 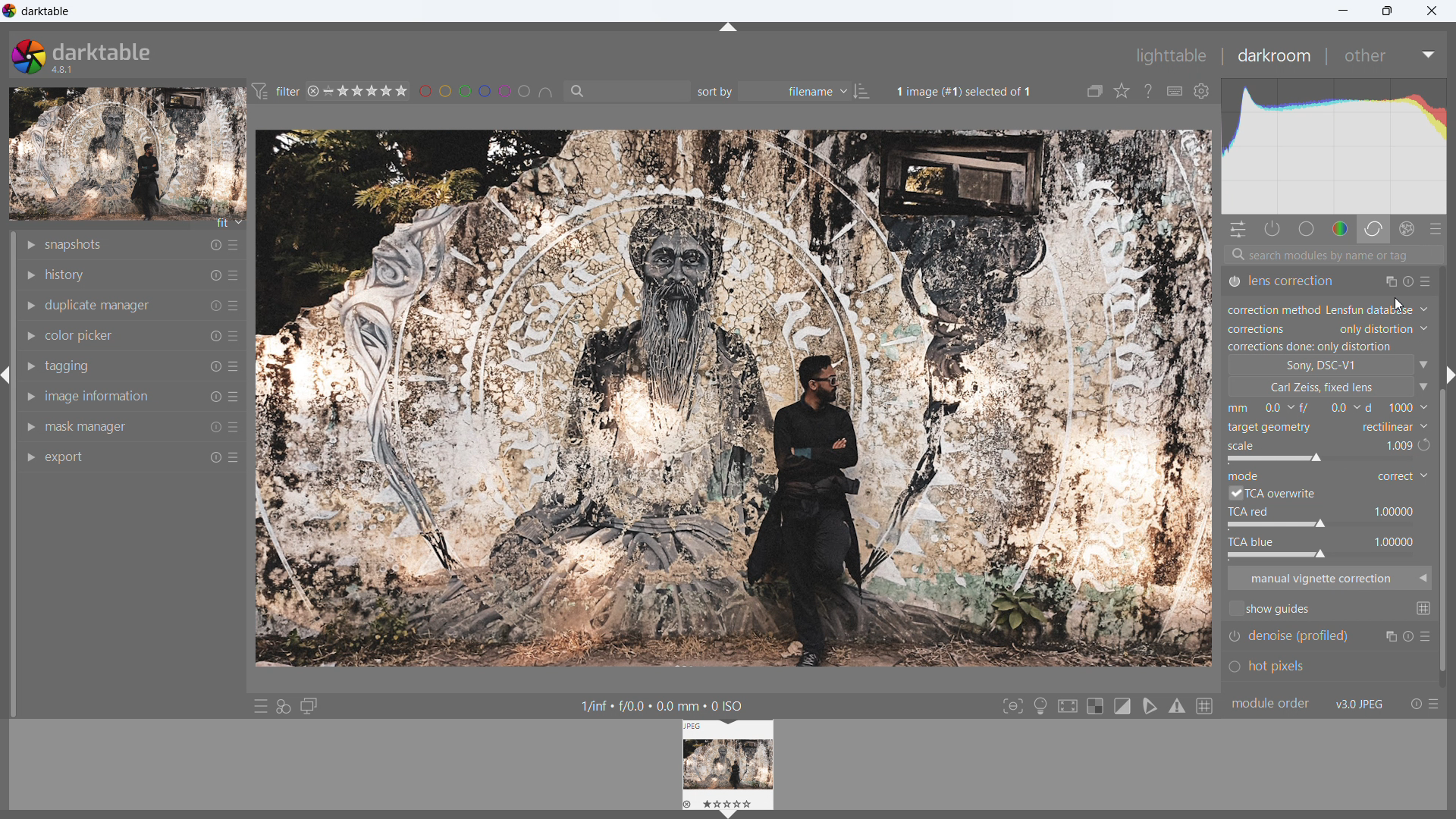 I want to click on hide panel, so click(x=9, y=377).